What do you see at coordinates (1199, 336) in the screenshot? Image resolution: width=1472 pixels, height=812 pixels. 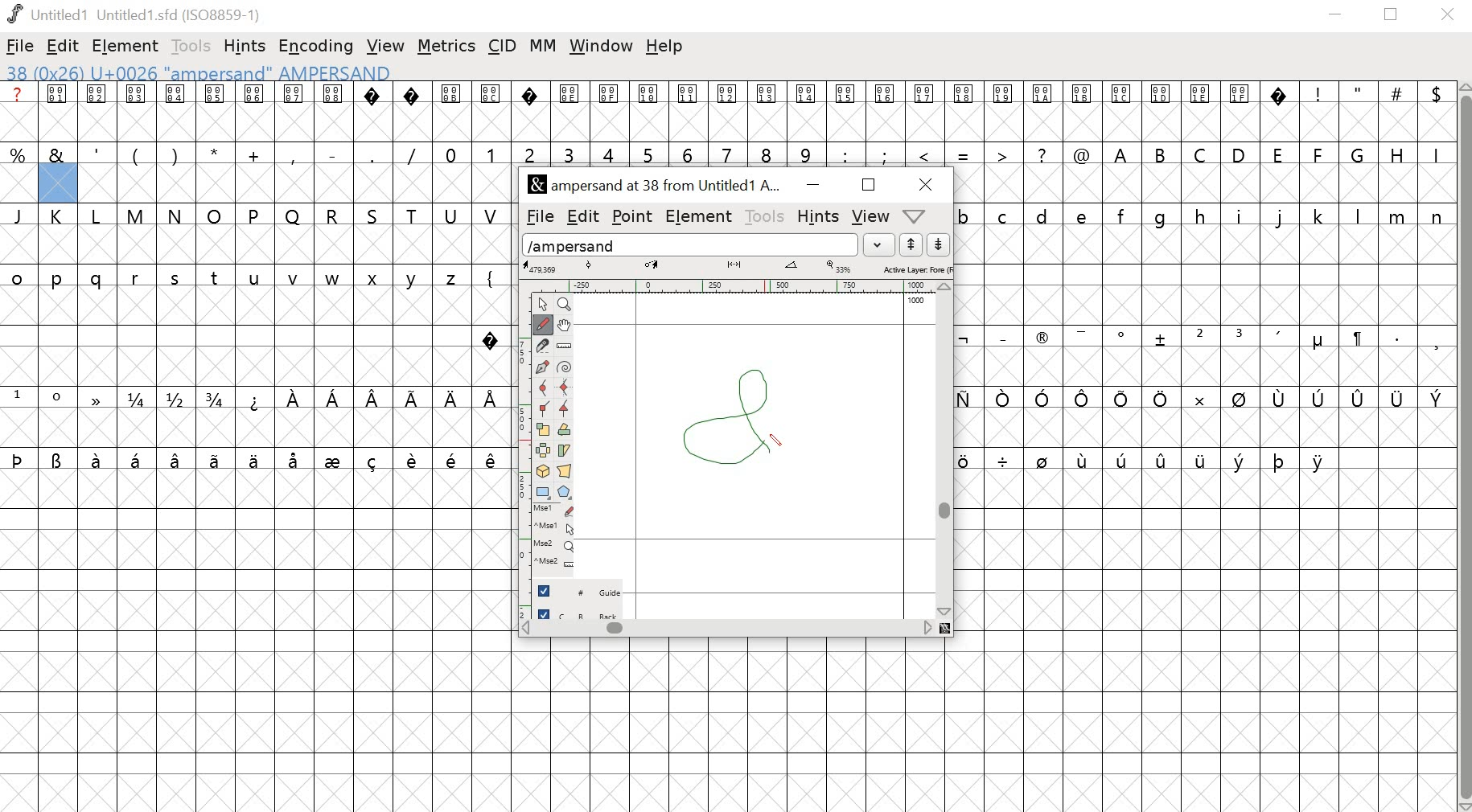 I see `2` at bounding box center [1199, 336].